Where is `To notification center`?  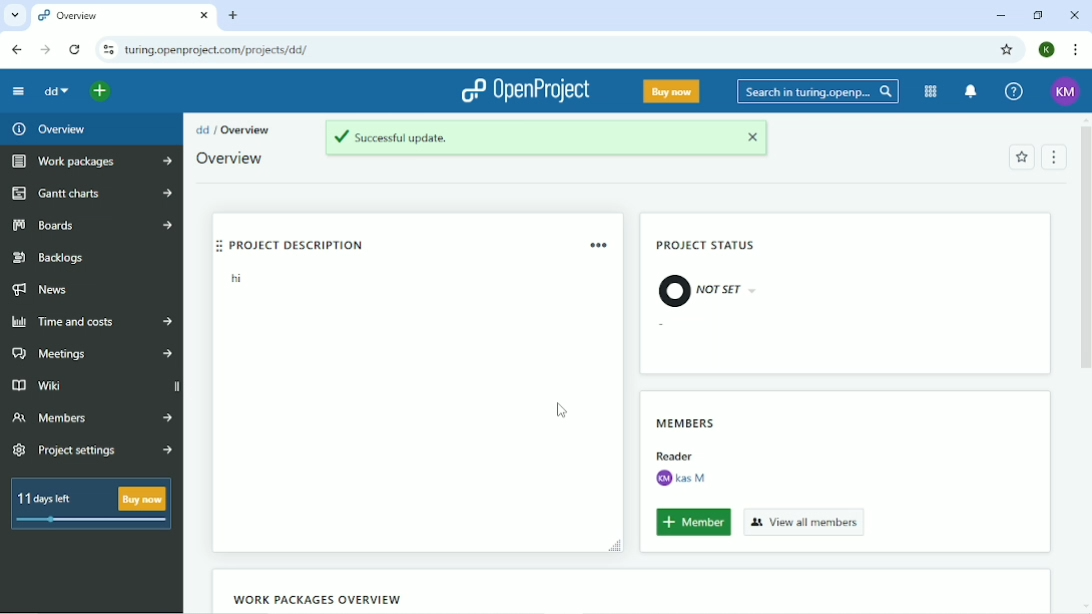 To notification center is located at coordinates (972, 91).